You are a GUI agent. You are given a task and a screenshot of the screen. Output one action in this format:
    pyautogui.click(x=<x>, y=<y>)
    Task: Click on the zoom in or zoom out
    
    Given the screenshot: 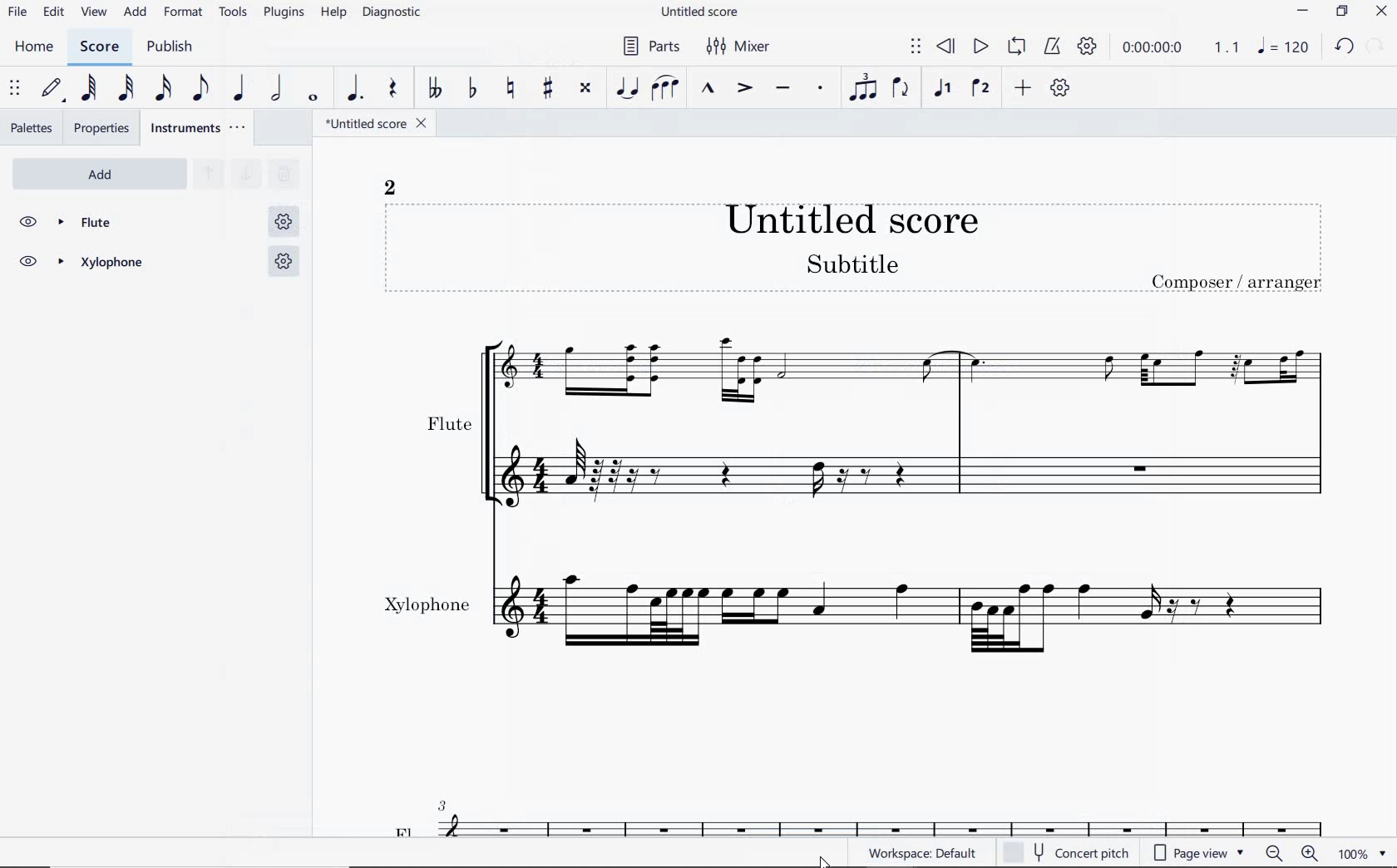 What is the action you would take?
    pyautogui.click(x=1291, y=853)
    